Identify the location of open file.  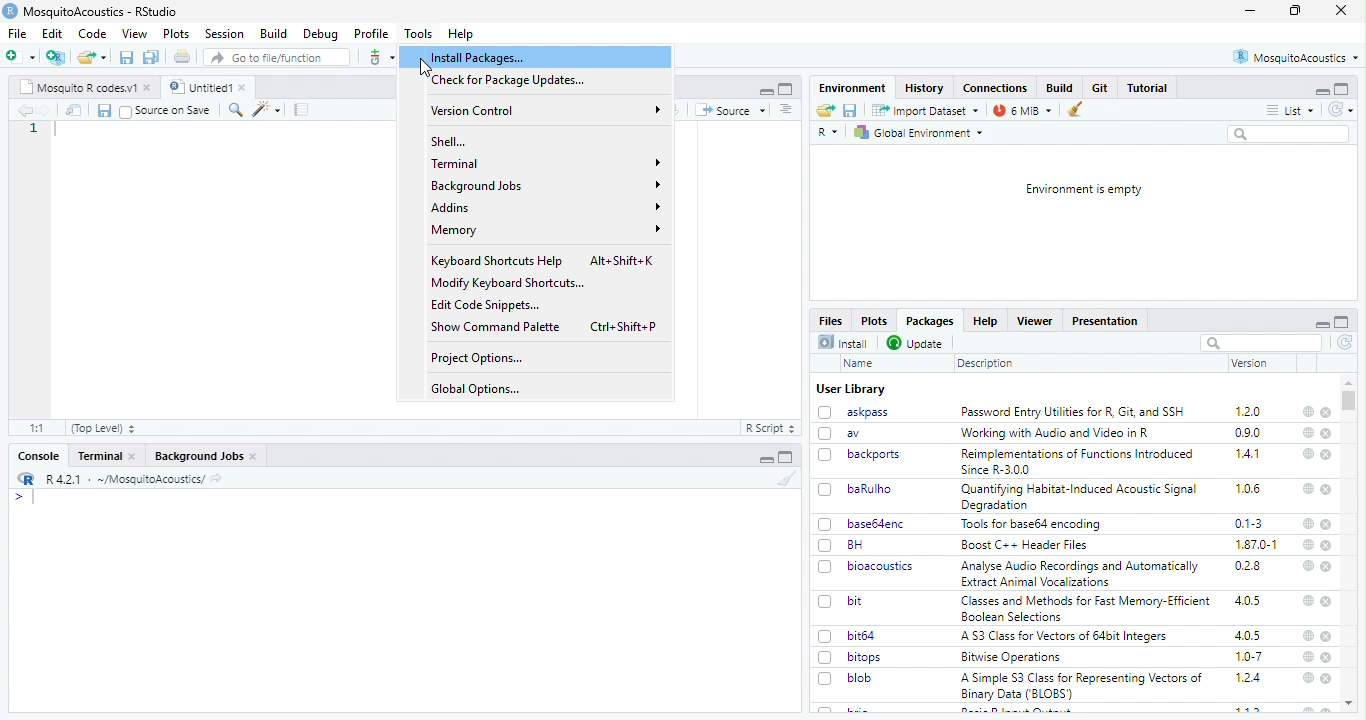
(21, 57).